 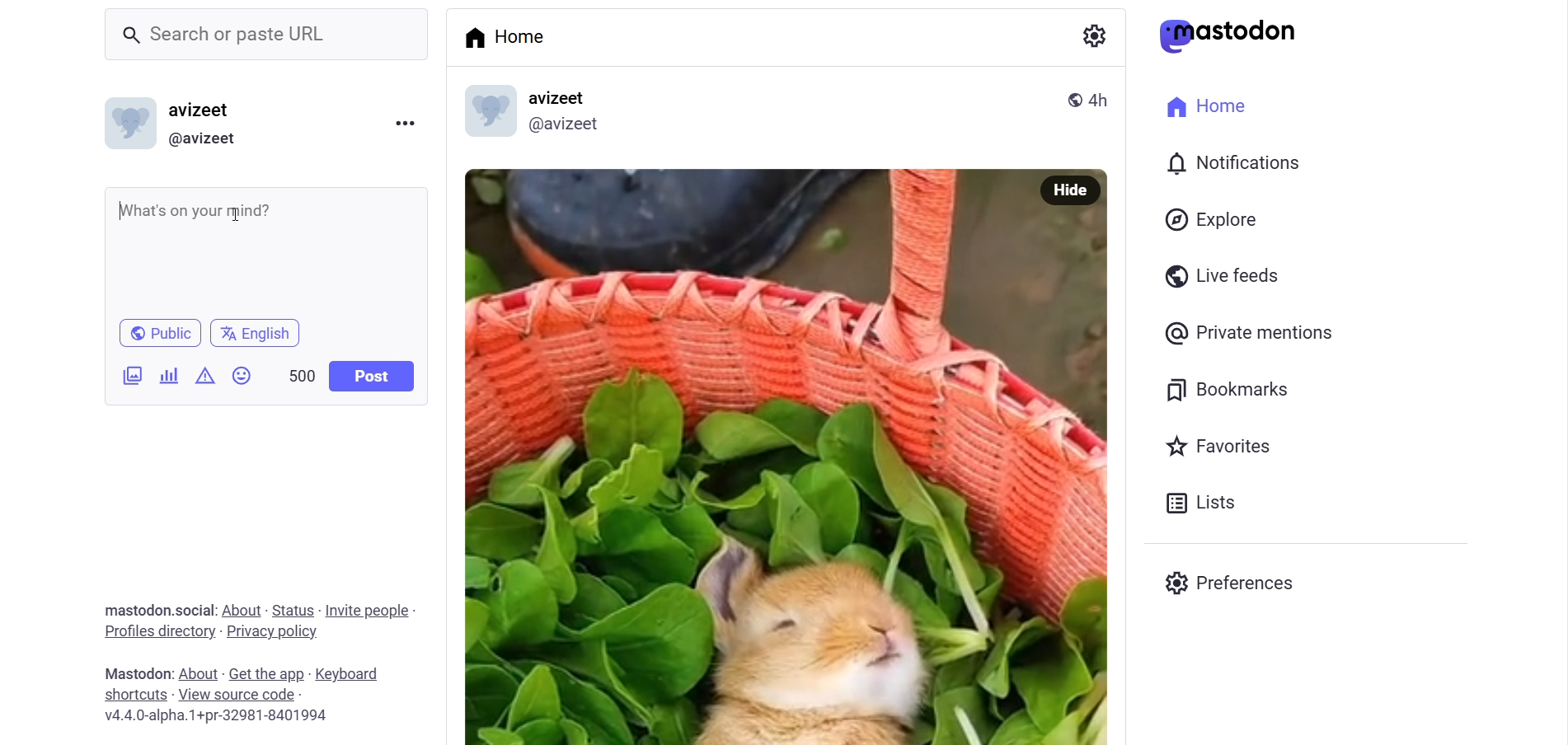 I want to click on Explore, so click(x=1212, y=218).